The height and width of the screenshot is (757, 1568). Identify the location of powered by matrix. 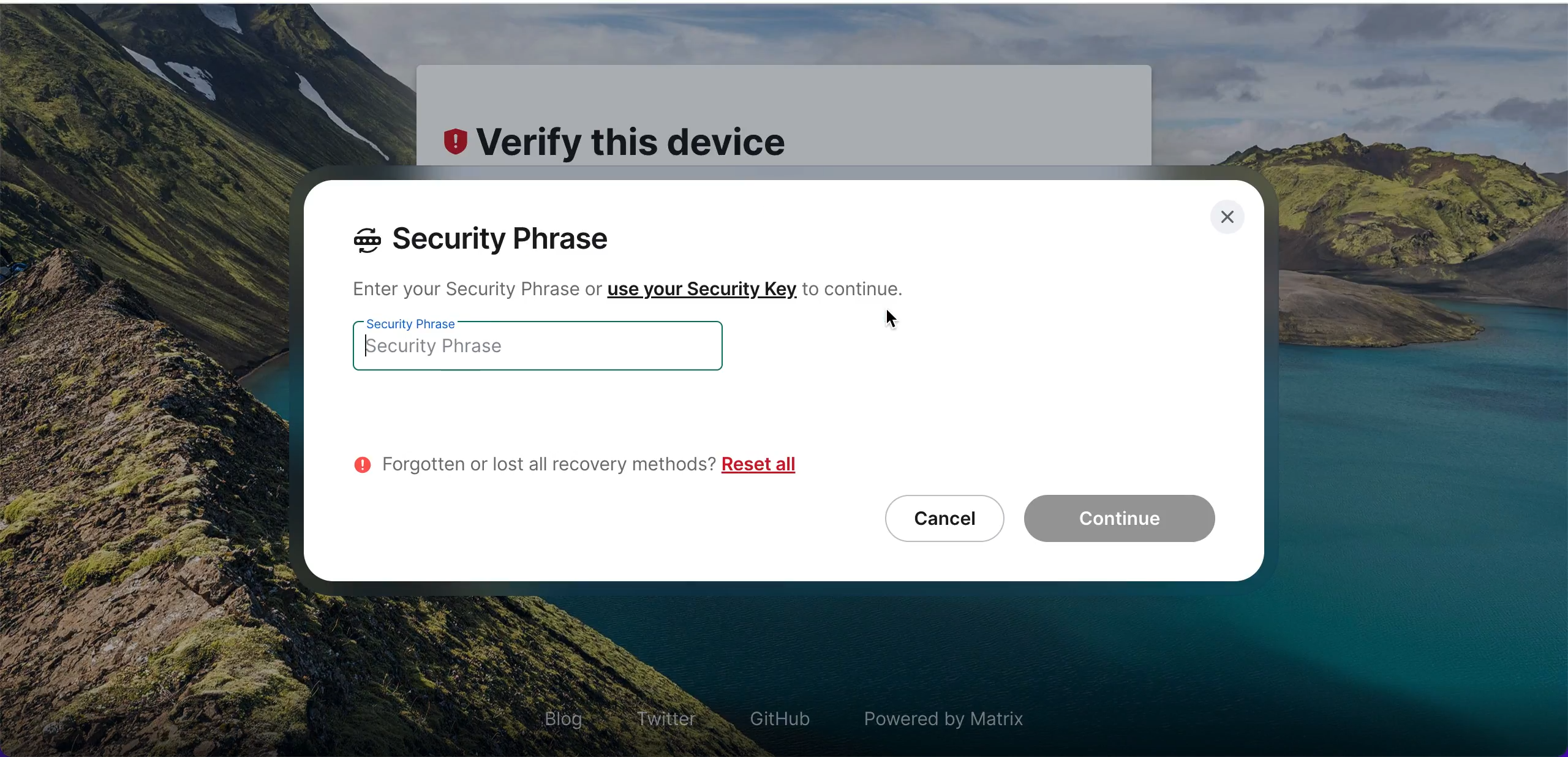
(951, 713).